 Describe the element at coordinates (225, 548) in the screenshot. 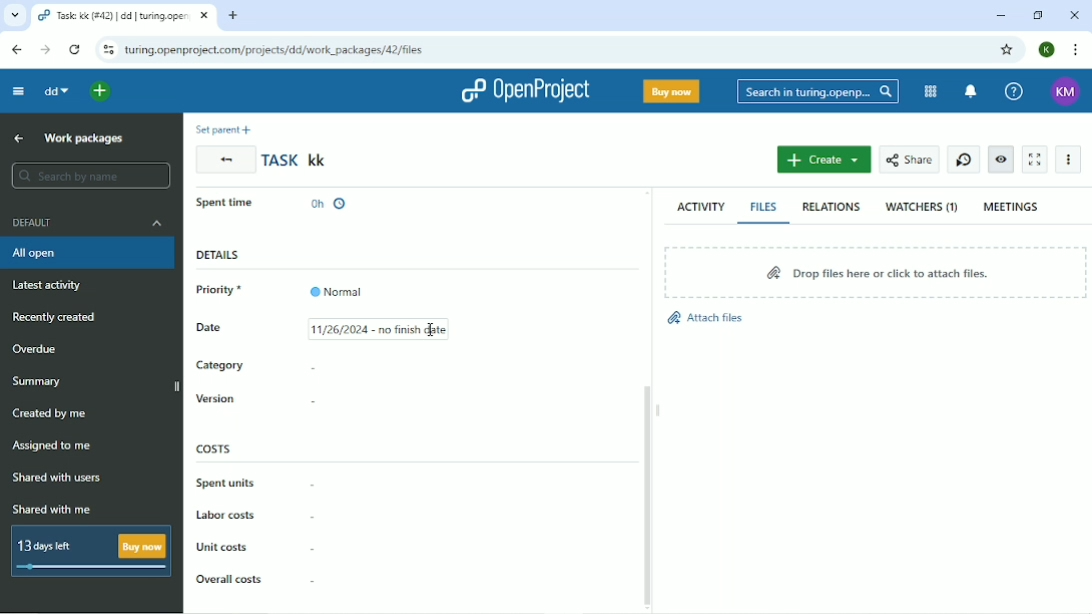

I see `Unit costs` at that location.